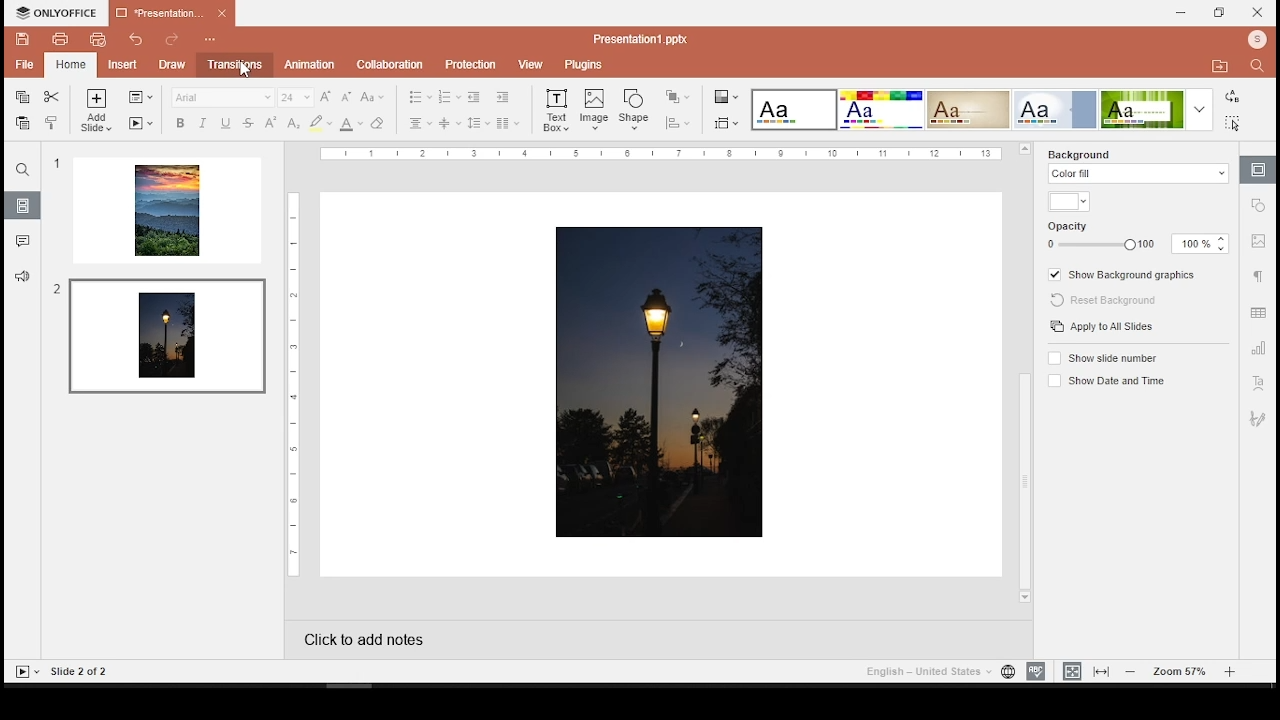  Describe the element at coordinates (1111, 301) in the screenshot. I see `reset background` at that location.